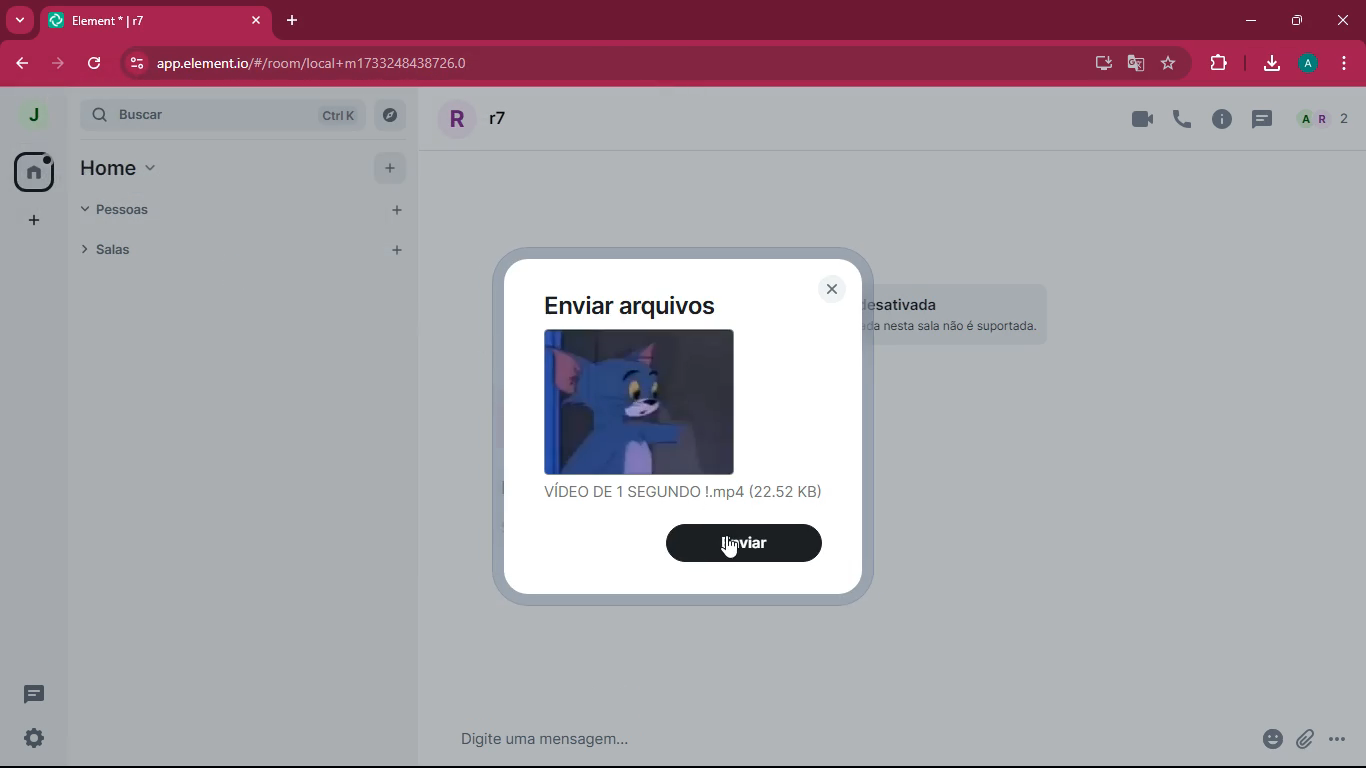  Describe the element at coordinates (93, 63) in the screenshot. I see `refresh` at that location.